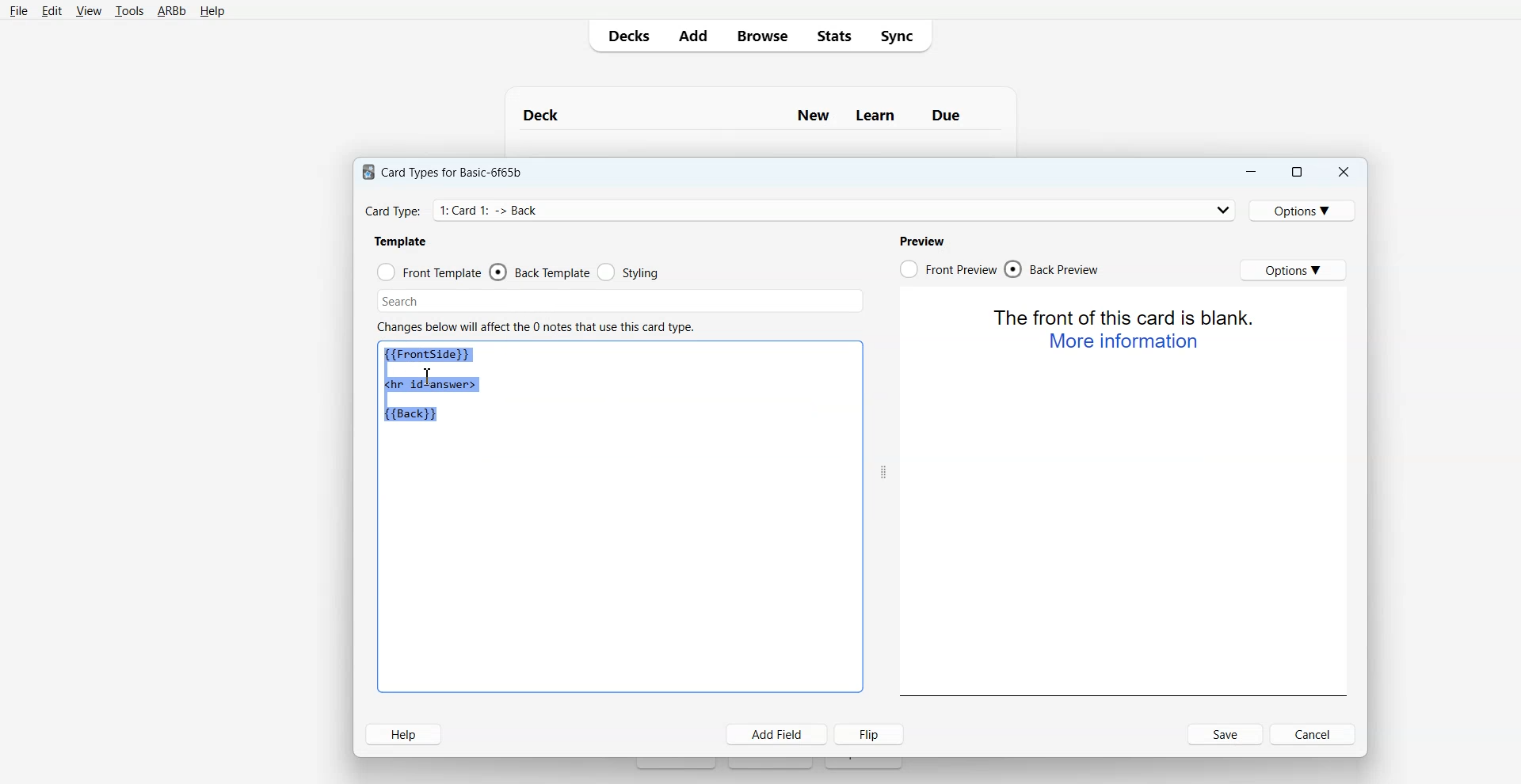 Image resolution: width=1521 pixels, height=784 pixels. Describe the element at coordinates (1225, 734) in the screenshot. I see `Save` at that location.